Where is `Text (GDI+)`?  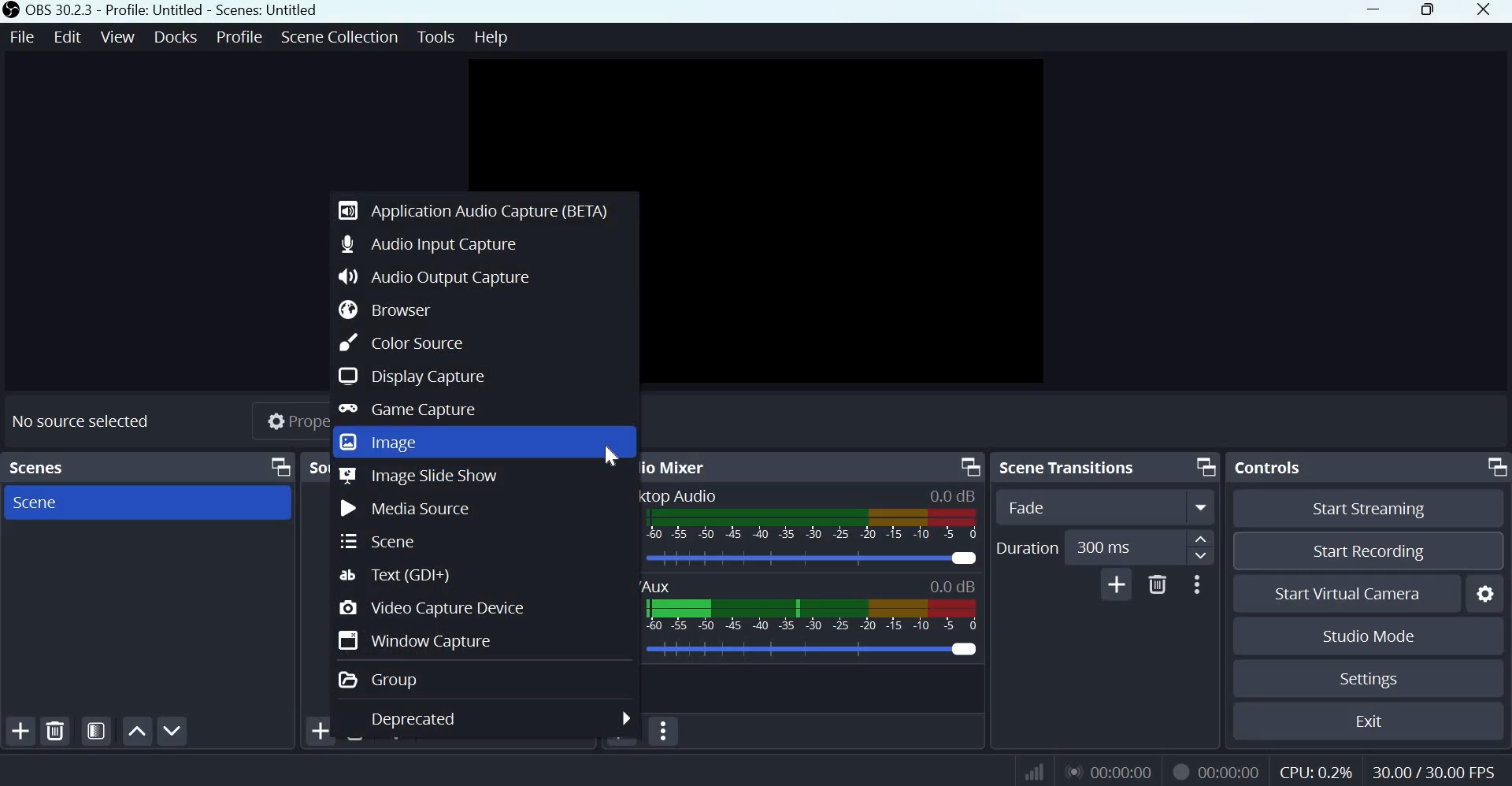
Text (GDI+) is located at coordinates (399, 573).